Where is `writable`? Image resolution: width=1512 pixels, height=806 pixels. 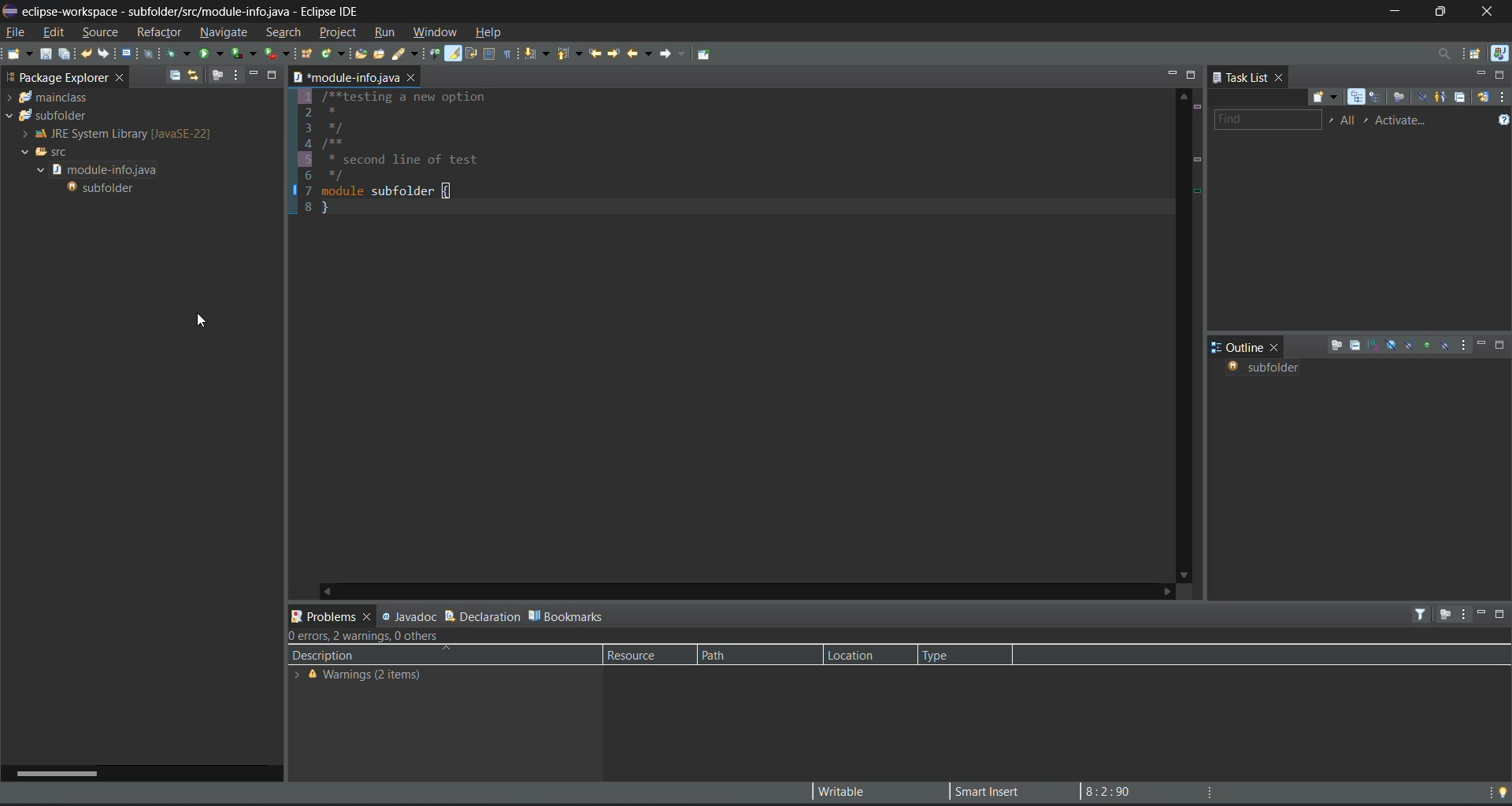
writable is located at coordinates (847, 792).